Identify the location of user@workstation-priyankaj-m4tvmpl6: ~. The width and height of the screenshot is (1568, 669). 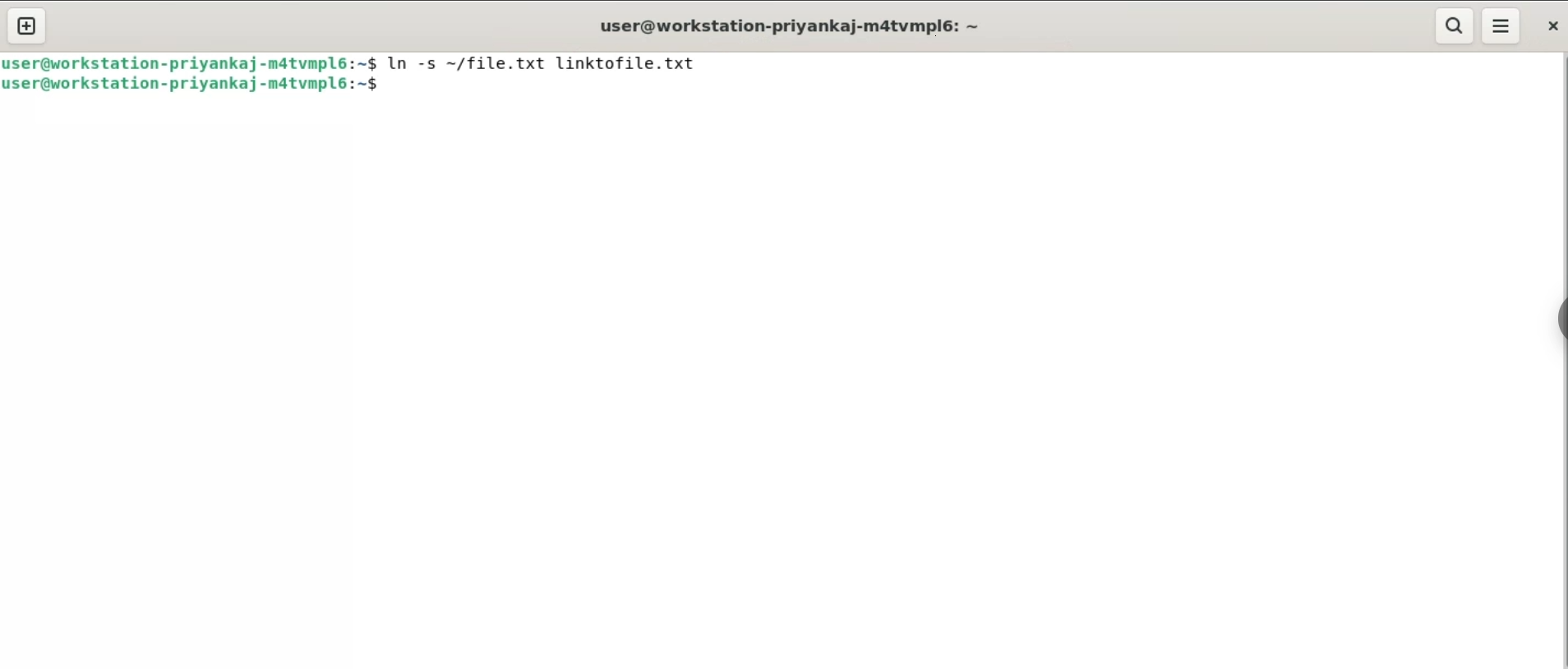
(793, 29).